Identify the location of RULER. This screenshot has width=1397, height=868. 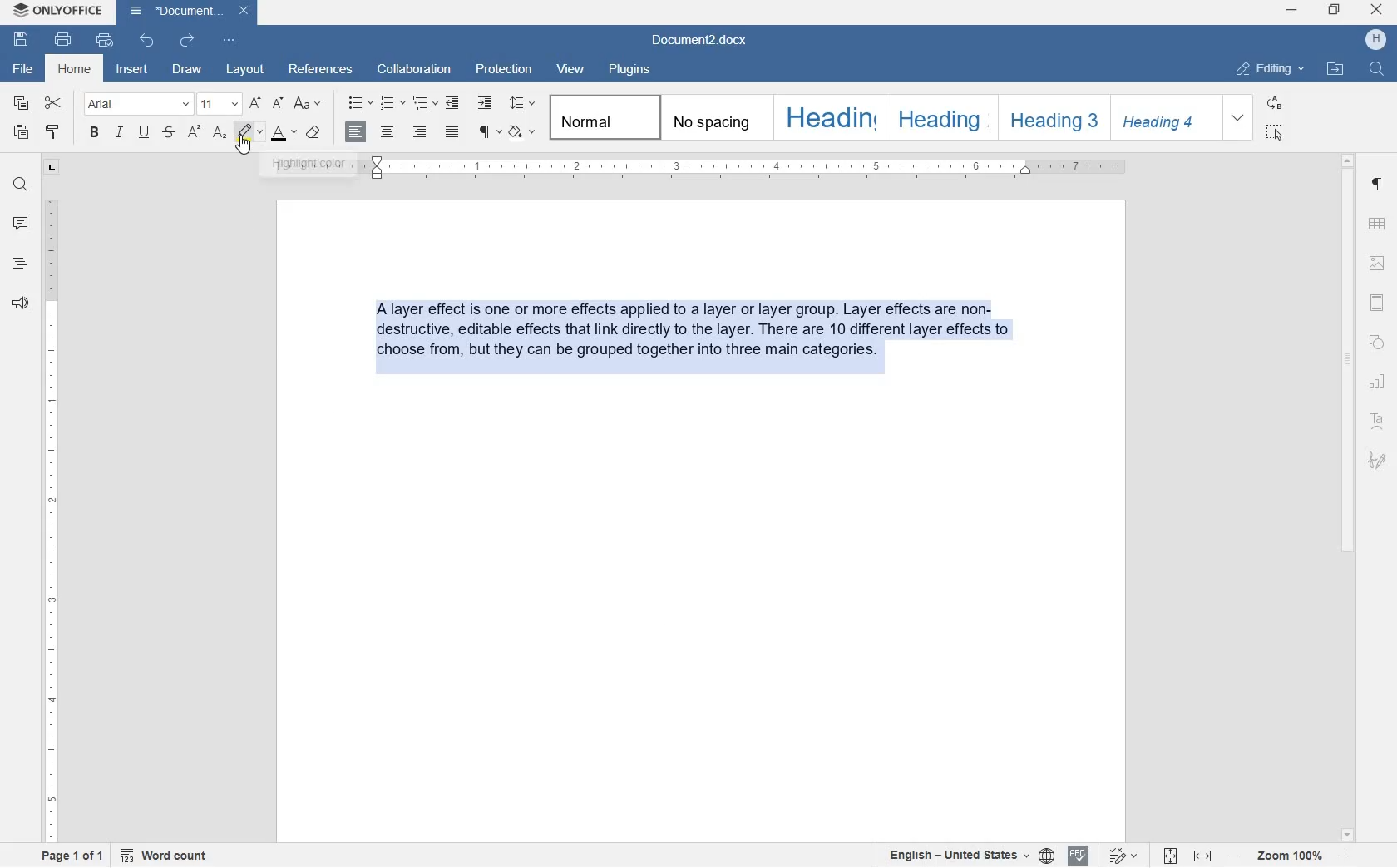
(694, 169).